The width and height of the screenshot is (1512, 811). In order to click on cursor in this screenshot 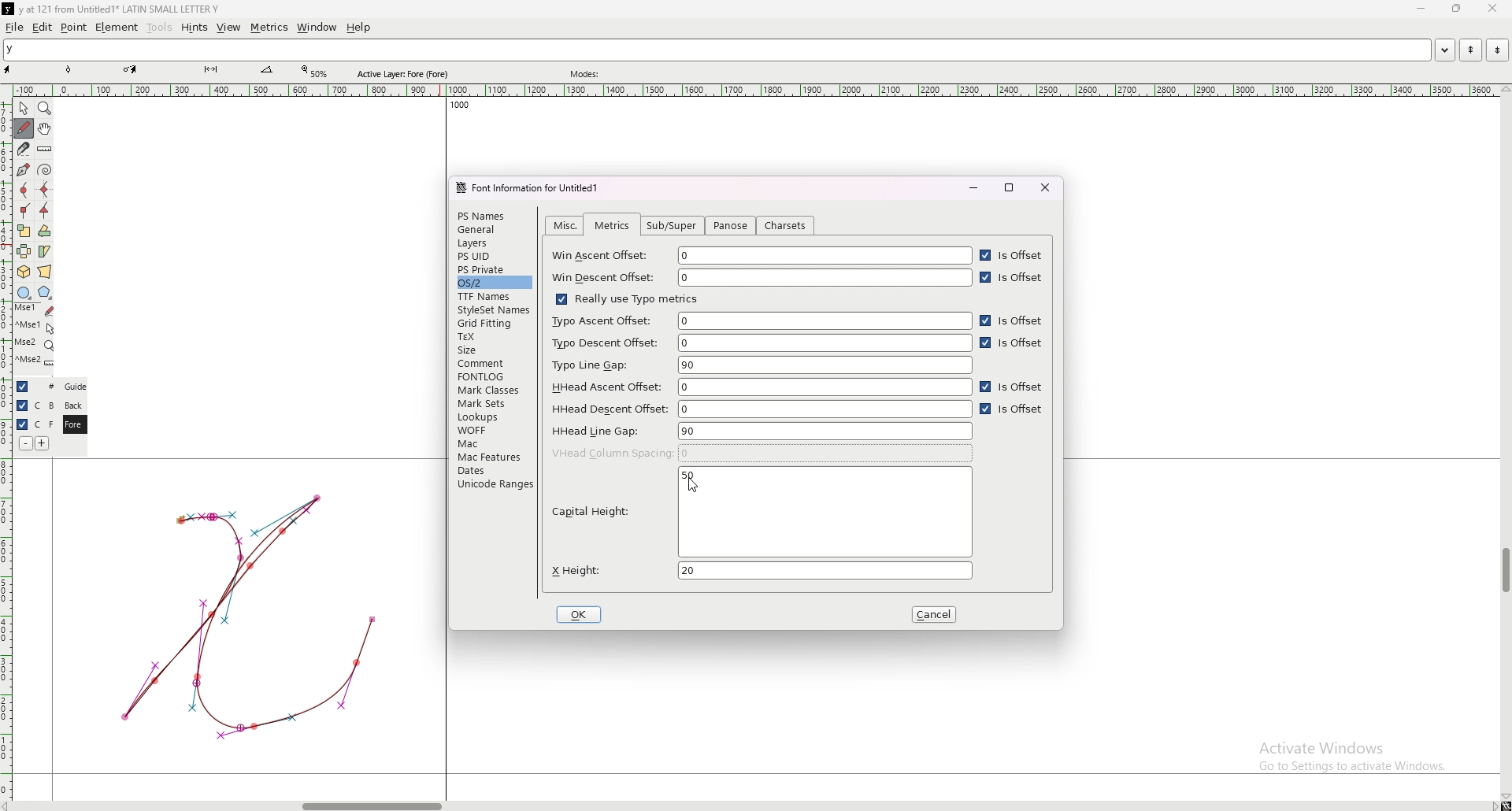, I will do `click(701, 488)`.